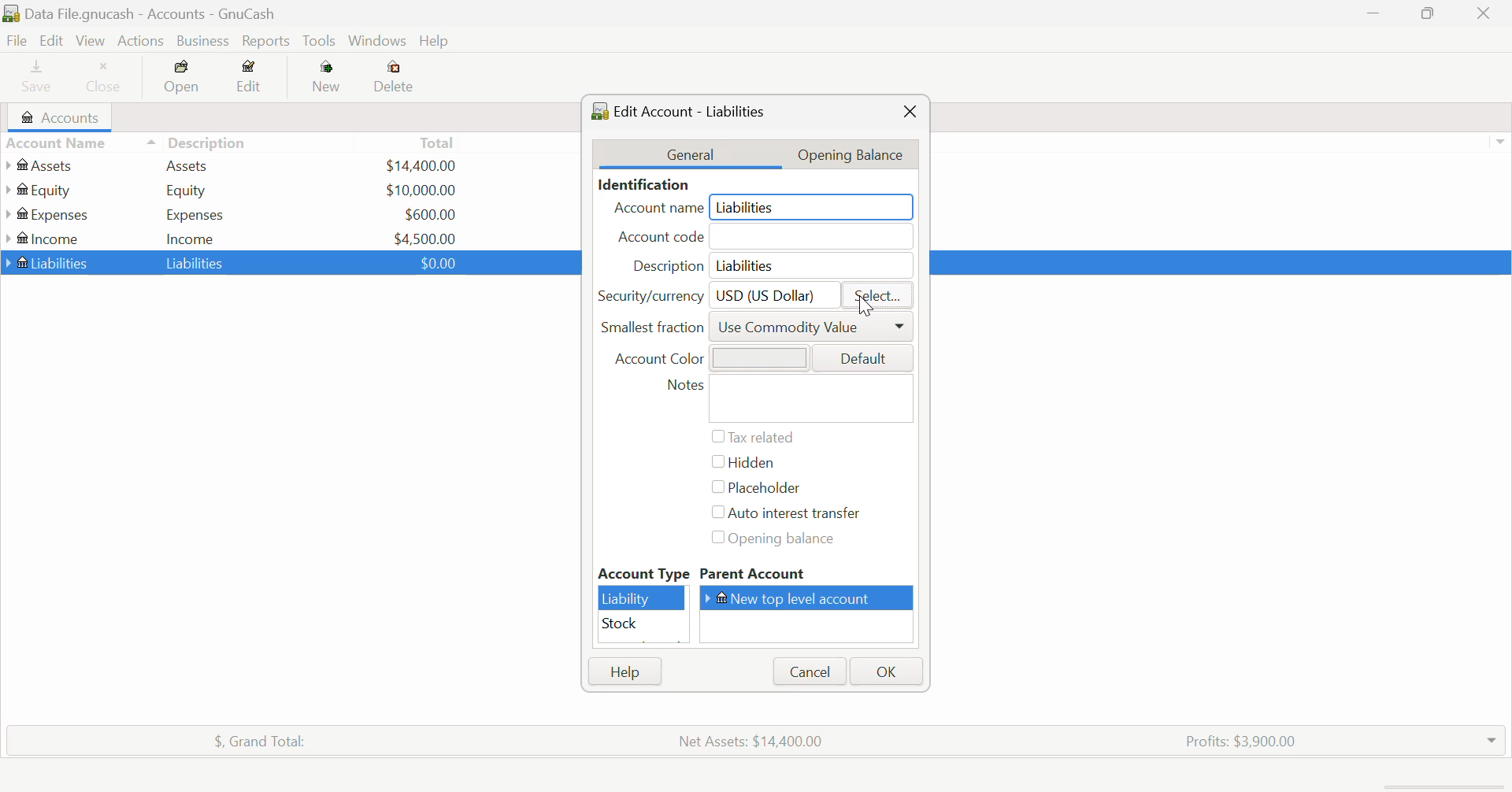 This screenshot has width=1512, height=792. I want to click on New, so click(328, 80).